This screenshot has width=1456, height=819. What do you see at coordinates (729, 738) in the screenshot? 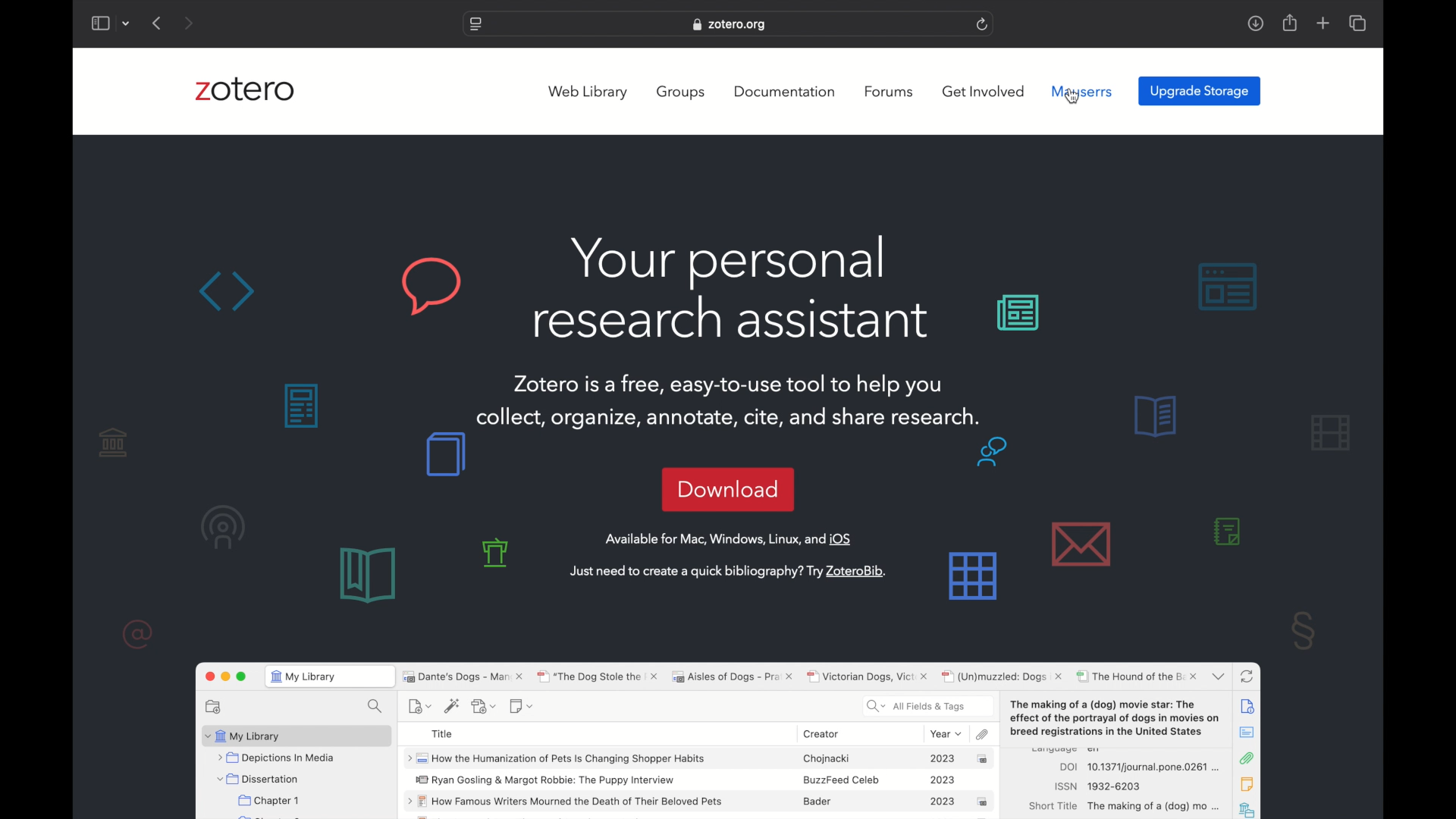
I see `zotero software preview` at bounding box center [729, 738].